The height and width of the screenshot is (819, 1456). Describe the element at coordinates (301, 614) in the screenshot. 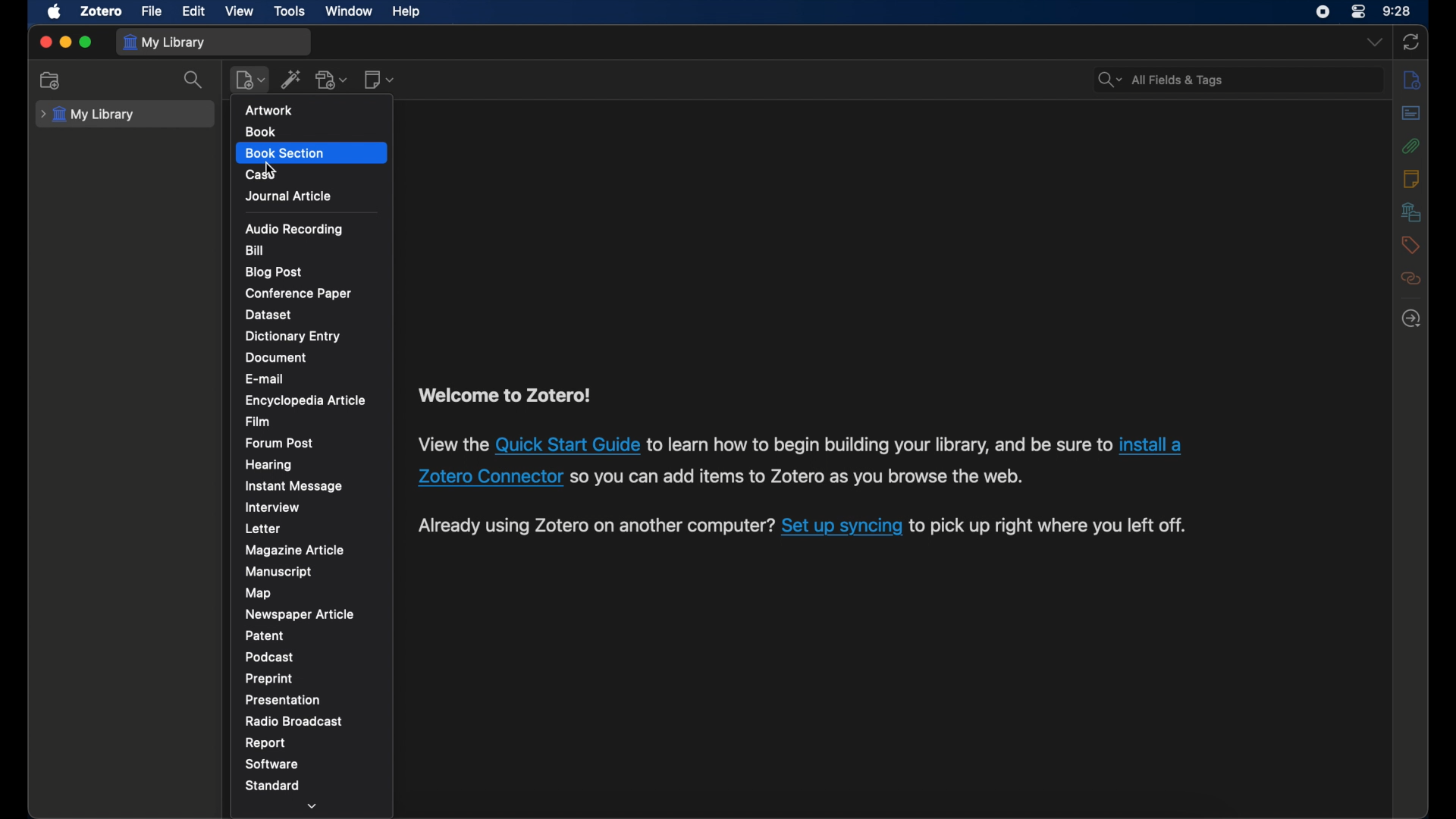

I see `newspaper article` at that location.